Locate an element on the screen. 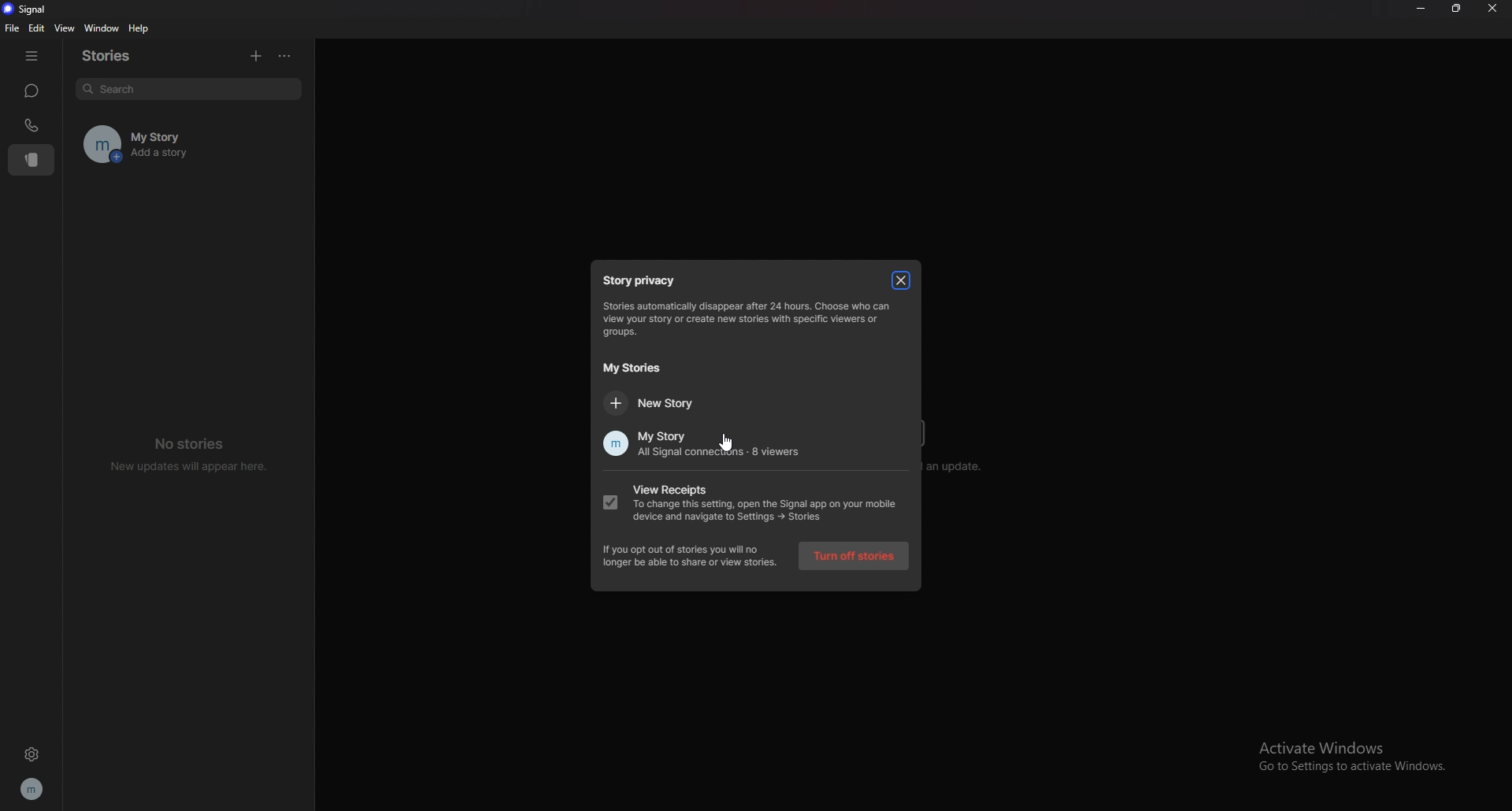 The height and width of the screenshot is (811, 1512). story privacy is located at coordinates (647, 279).